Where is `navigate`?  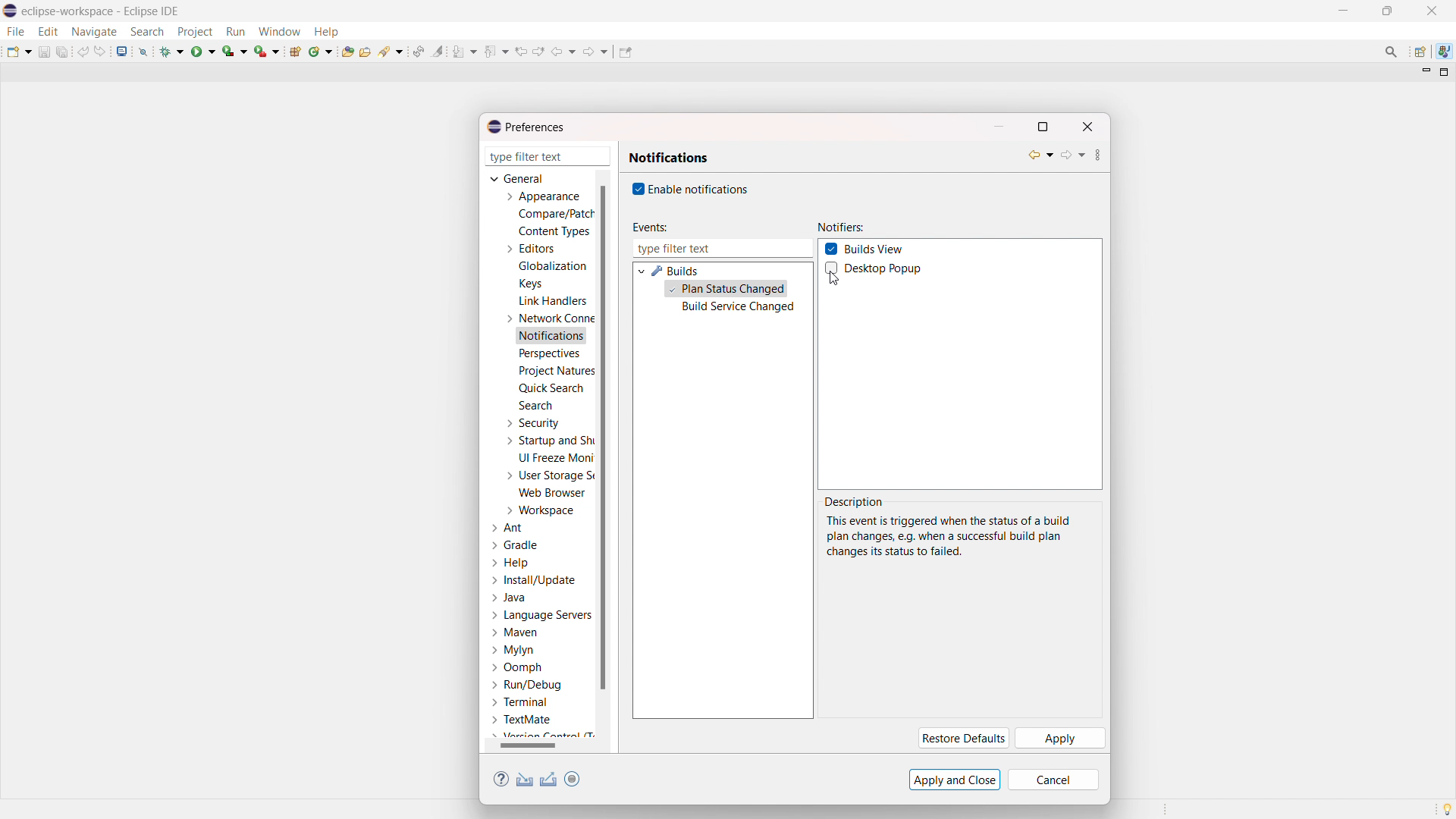 navigate is located at coordinates (93, 31).